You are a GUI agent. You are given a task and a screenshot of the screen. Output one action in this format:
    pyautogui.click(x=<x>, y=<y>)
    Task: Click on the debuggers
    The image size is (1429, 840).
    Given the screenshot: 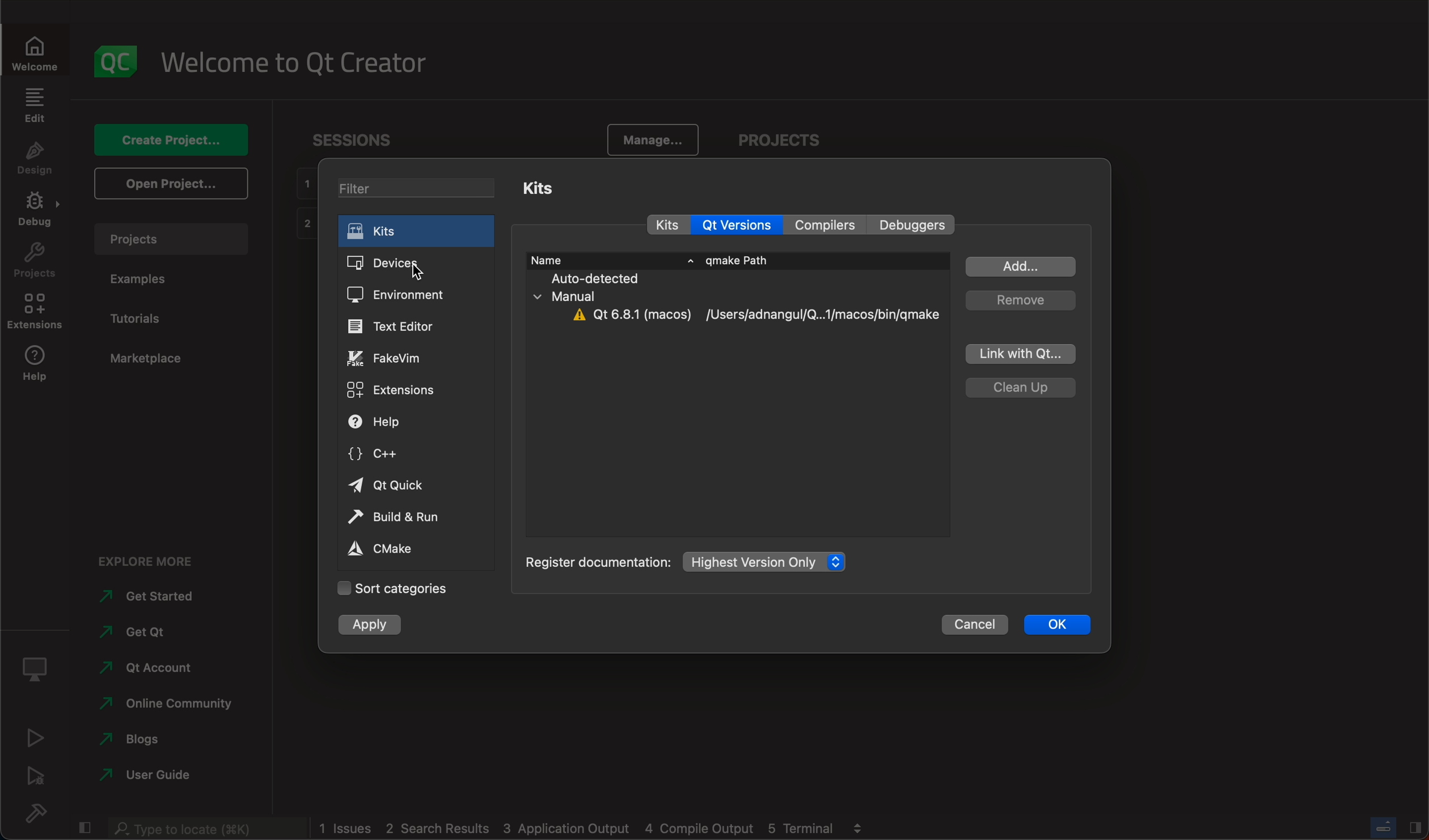 What is the action you would take?
    pyautogui.click(x=915, y=226)
    